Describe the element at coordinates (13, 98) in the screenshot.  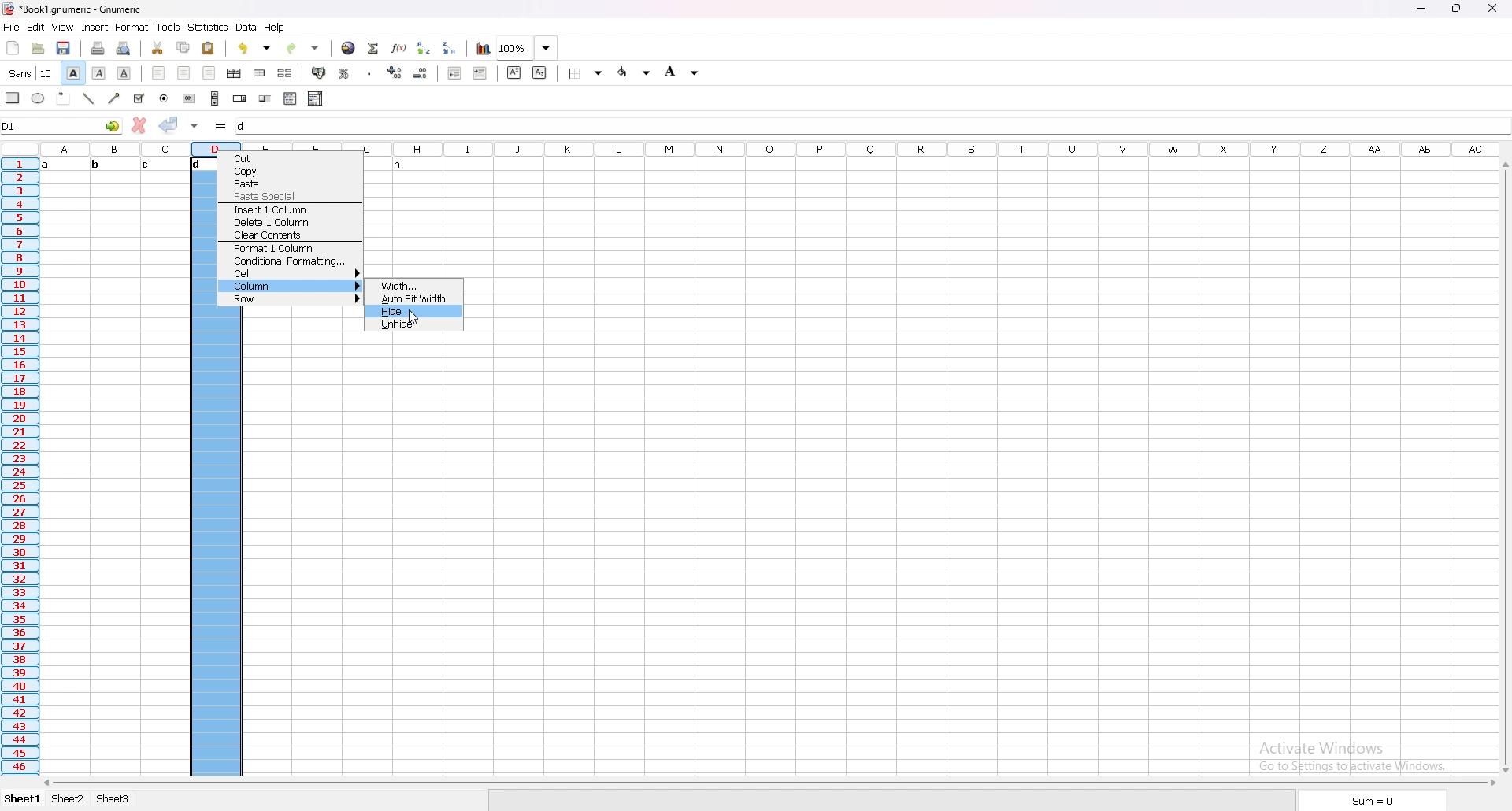
I see `rectangle` at that location.